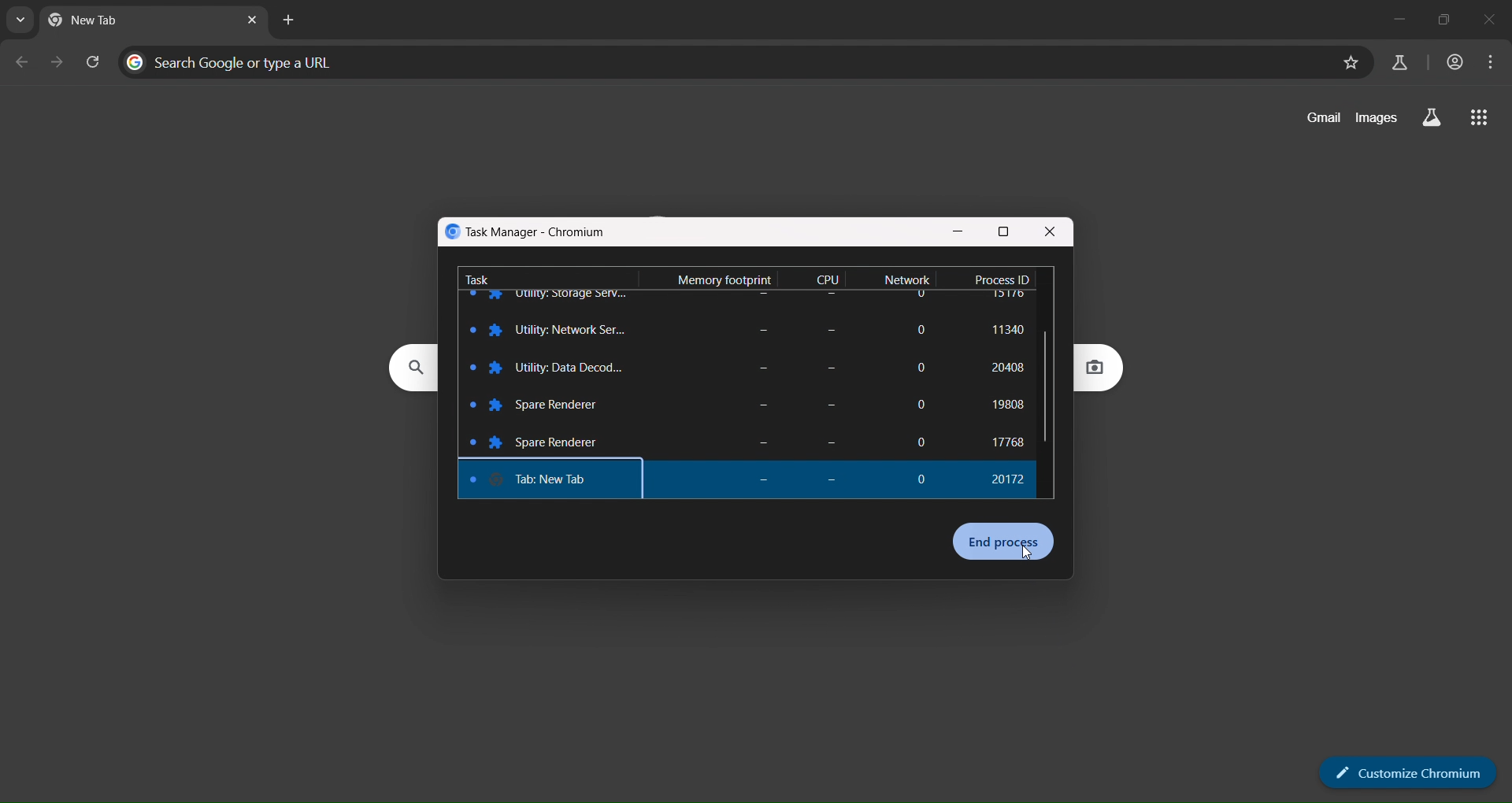  What do you see at coordinates (1027, 554) in the screenshot?
I see `cursor` at bounding box center [1027, 554].